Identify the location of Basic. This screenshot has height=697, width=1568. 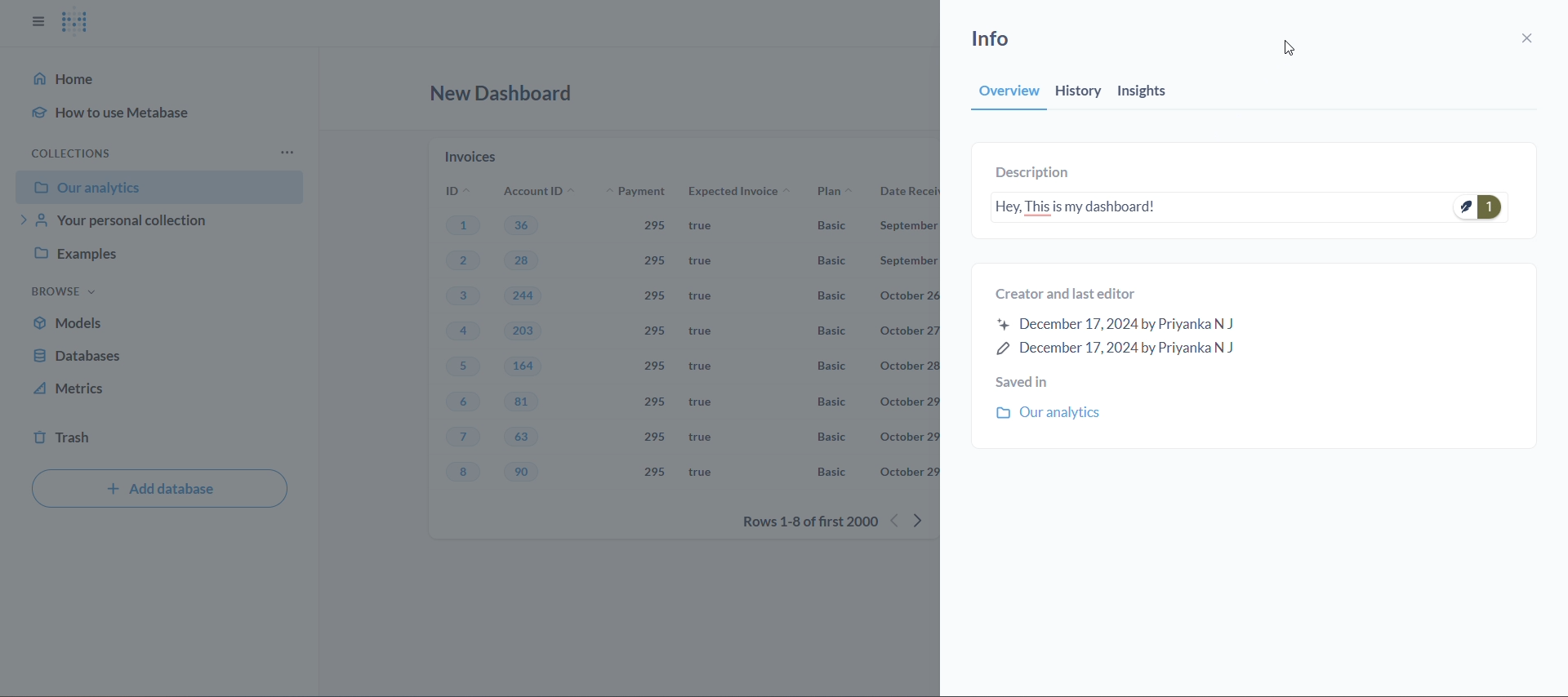
(836, 366).